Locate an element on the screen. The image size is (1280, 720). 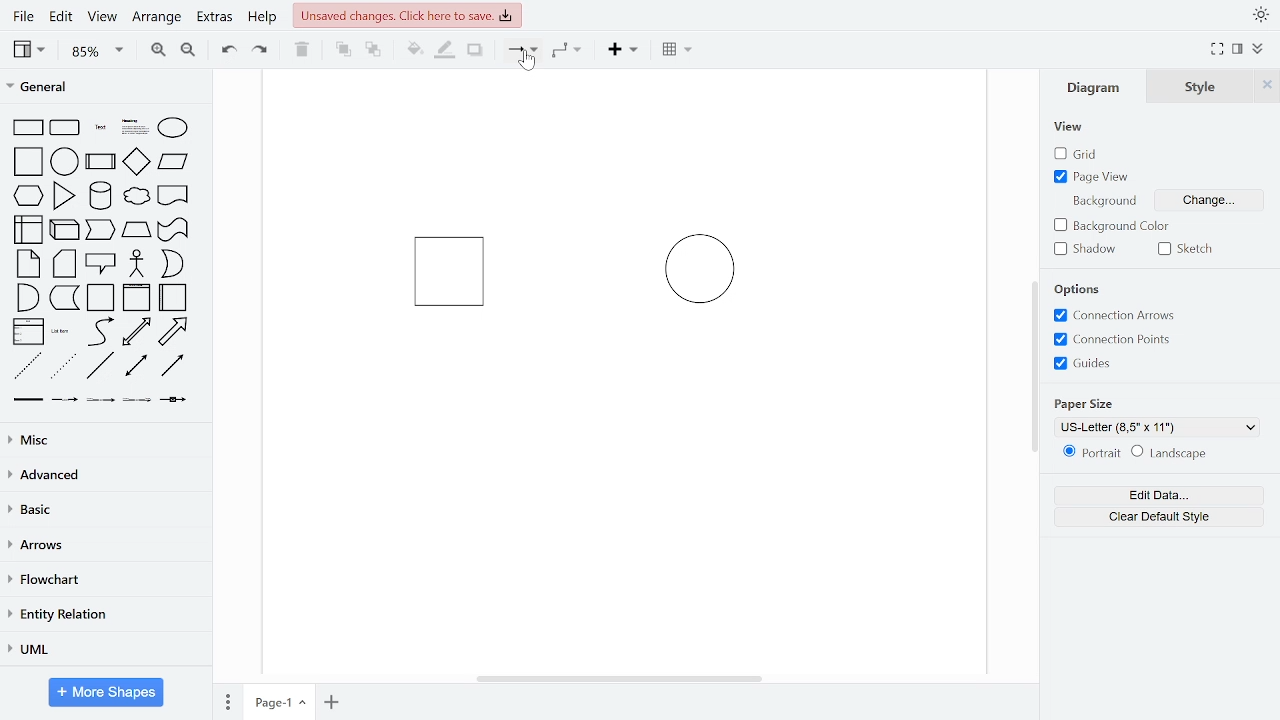
link is located at coordinates (27, 400).